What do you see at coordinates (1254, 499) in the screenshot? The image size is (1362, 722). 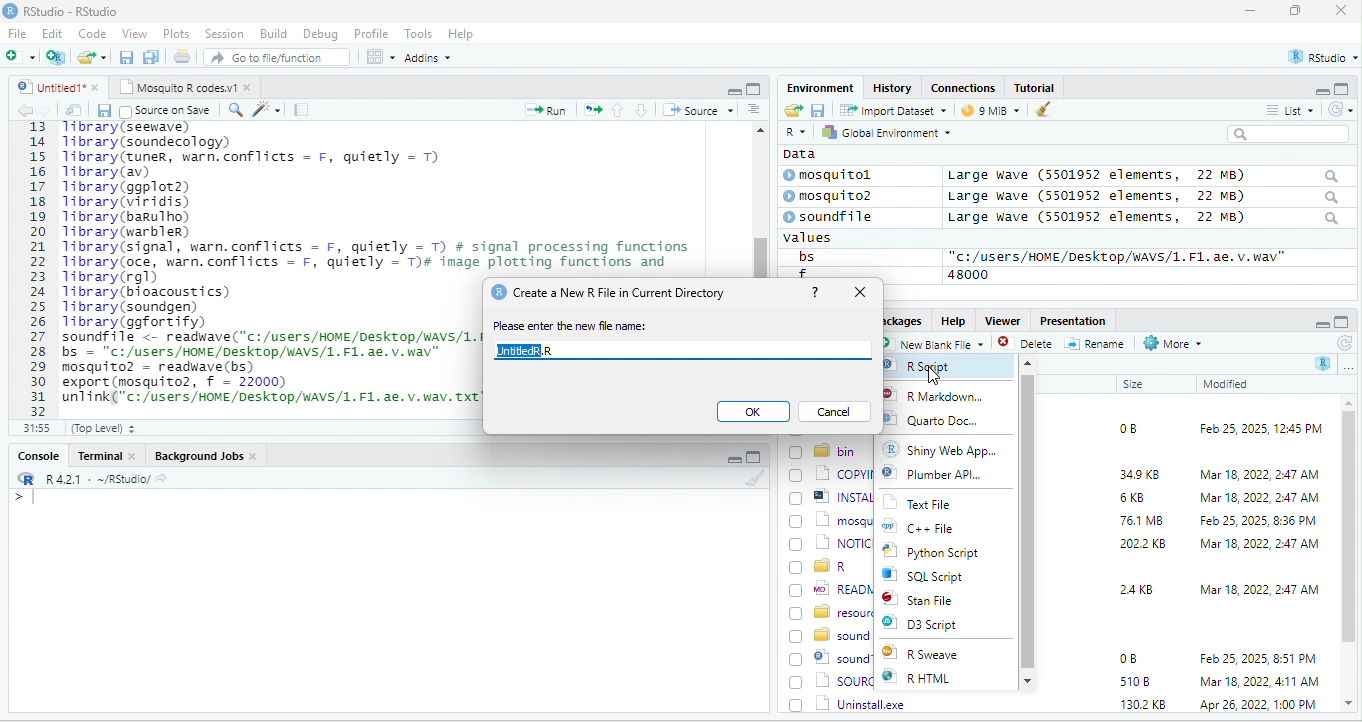 I see `Mar 18, 2022, 2:47 AM` at bounding box center [1254, 499].